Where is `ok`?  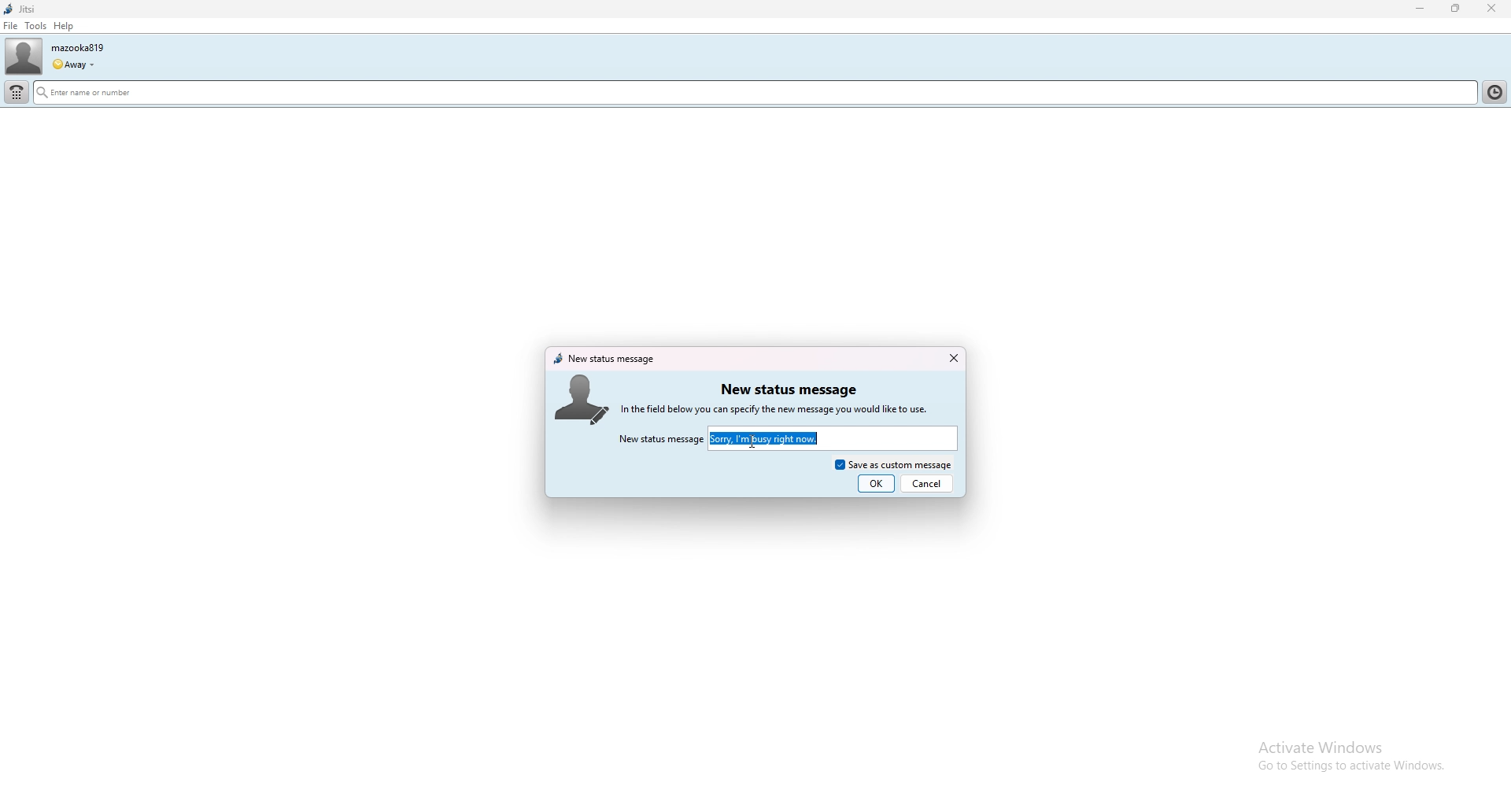
ok is located at coordinates (877, 484).